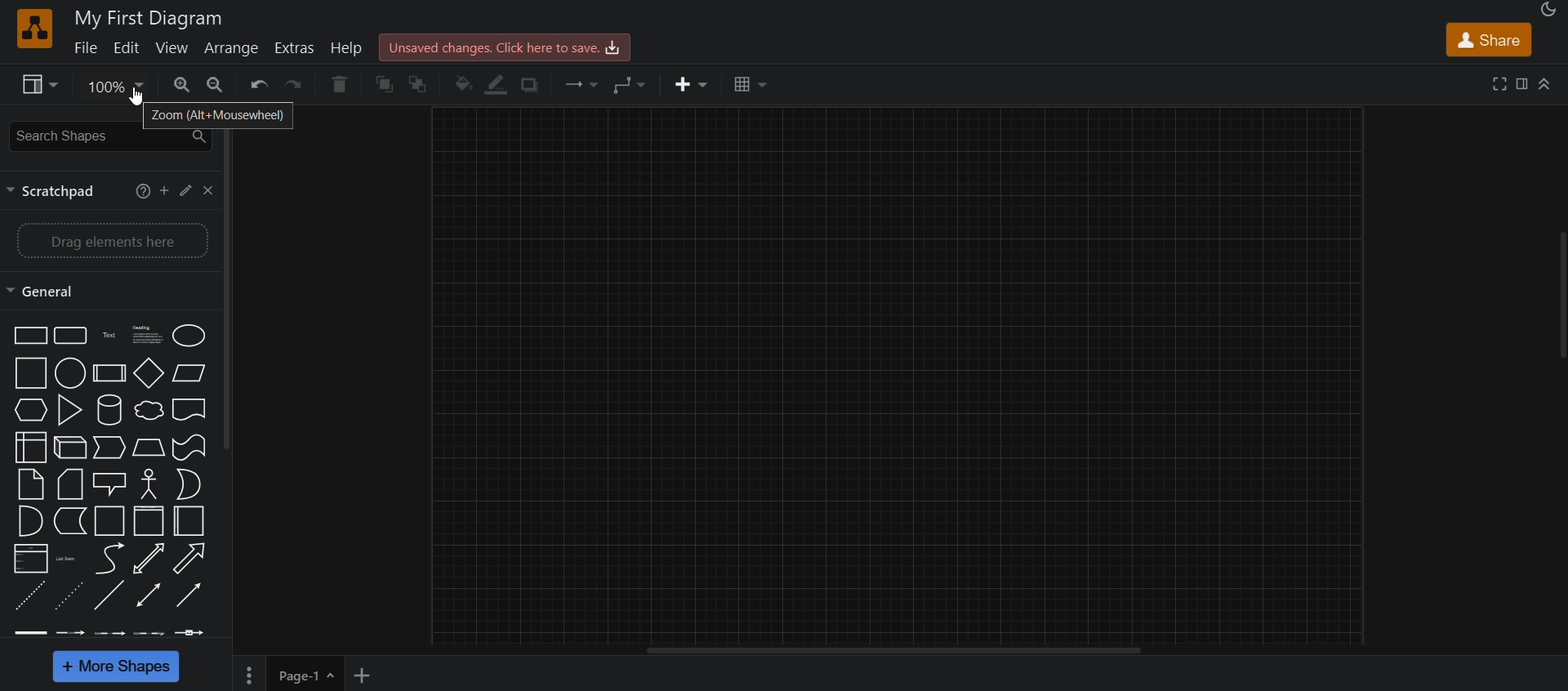 The width and height of the screenshot is (1568, 691). What do you see at coordinates (1550, 83) in the screenshot?
I see `collapse/expand` at bounding box center [1550, 83].